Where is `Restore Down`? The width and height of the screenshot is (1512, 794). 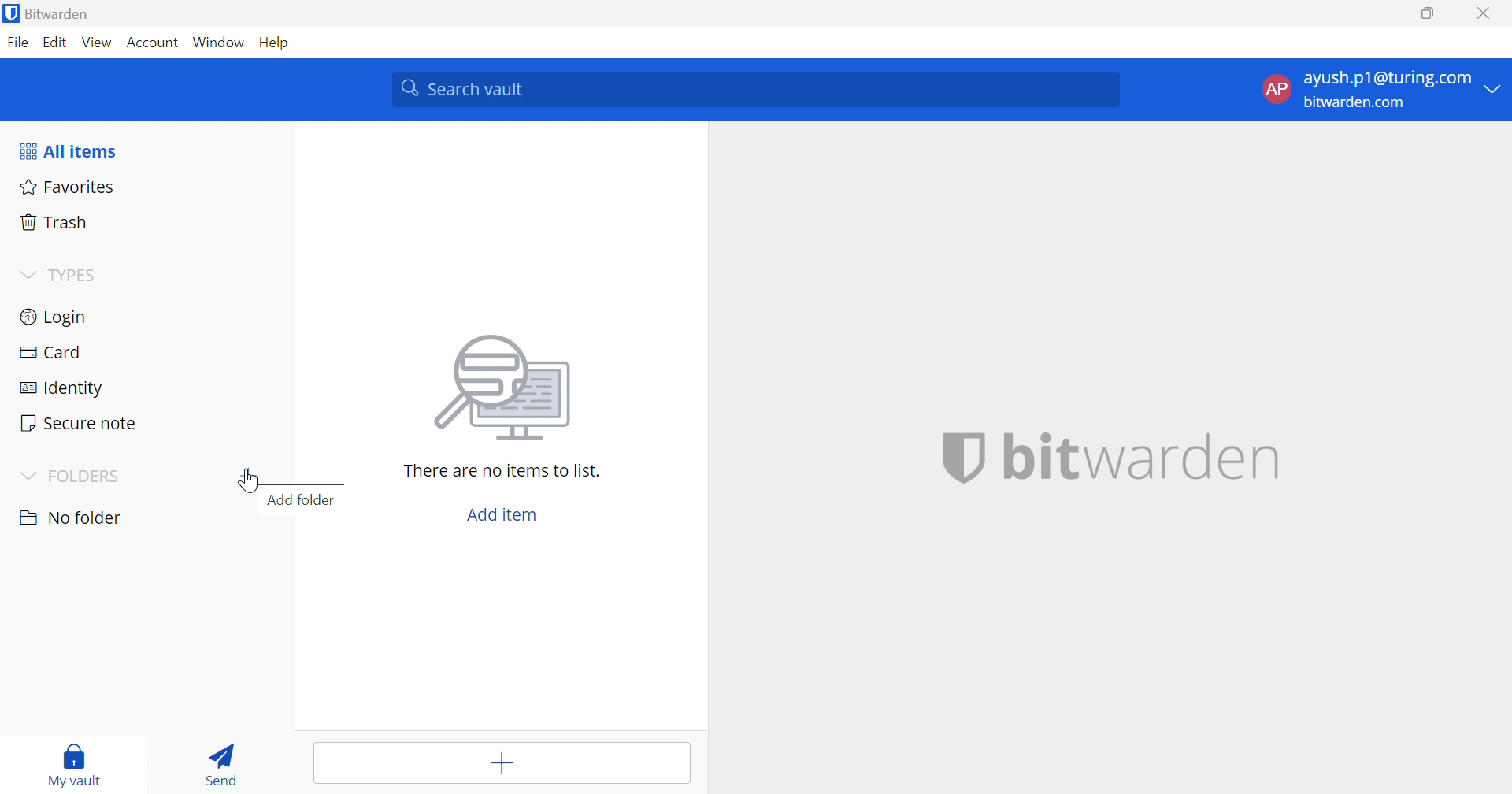
Restore Down is located at coordinates (1429, 13).